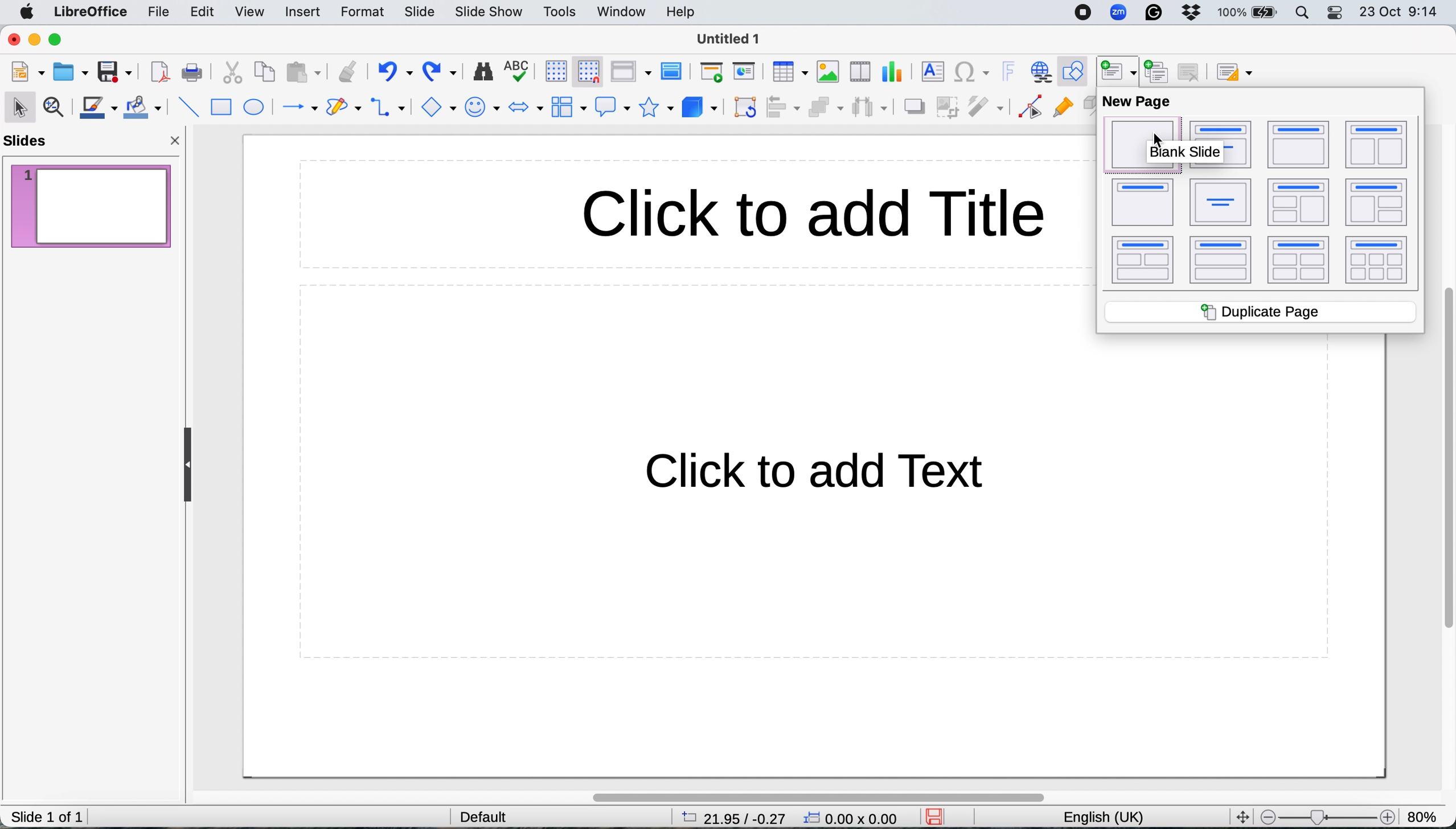 The width and height of the screenshot is (1456, 829). I want to click on master slide, so click(674, 72).